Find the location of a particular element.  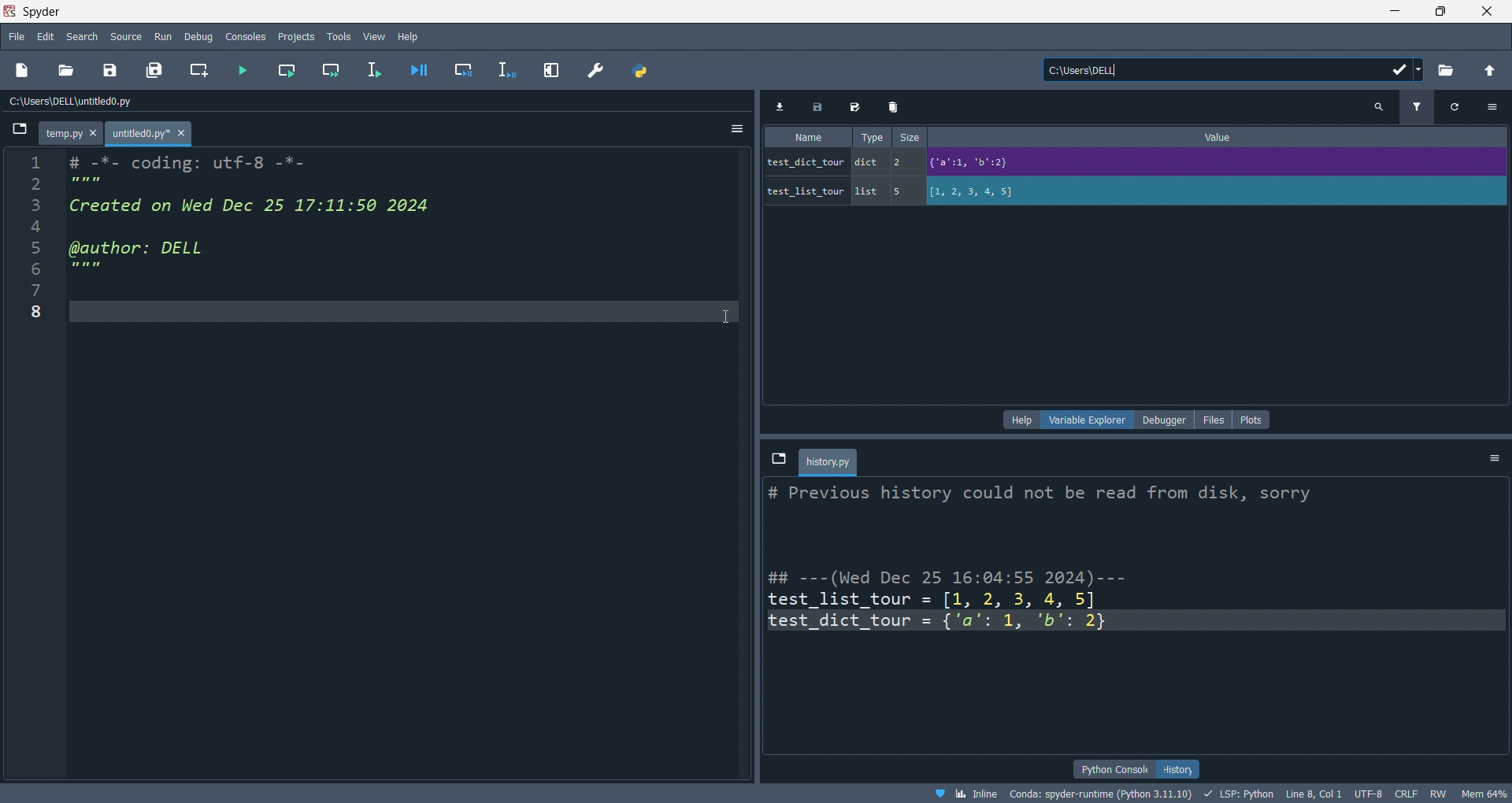

help is located at coordinates (409, 36).